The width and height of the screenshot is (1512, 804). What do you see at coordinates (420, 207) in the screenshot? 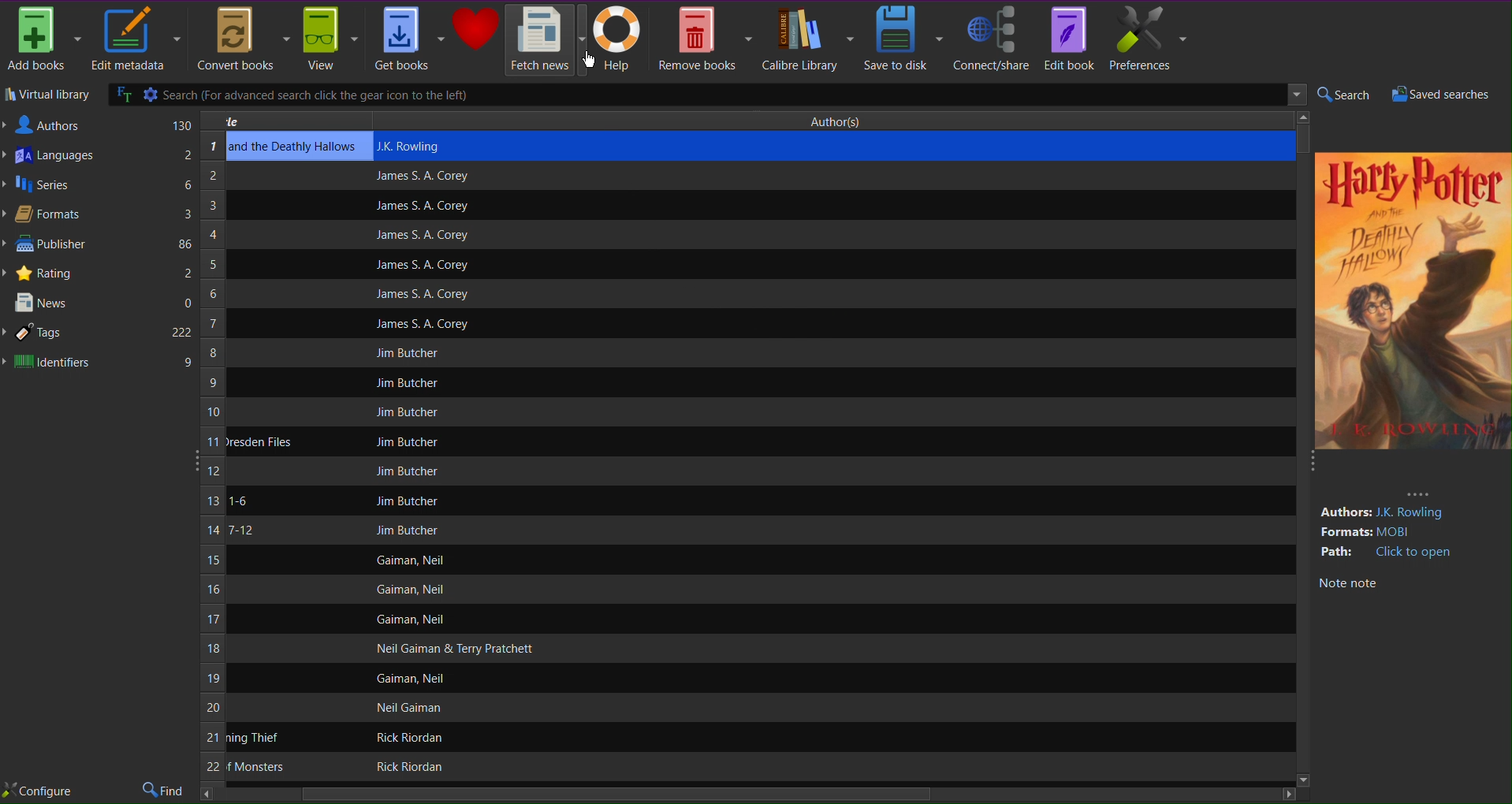
I see `James S. A. Corey` at bounding box center [420, 207].